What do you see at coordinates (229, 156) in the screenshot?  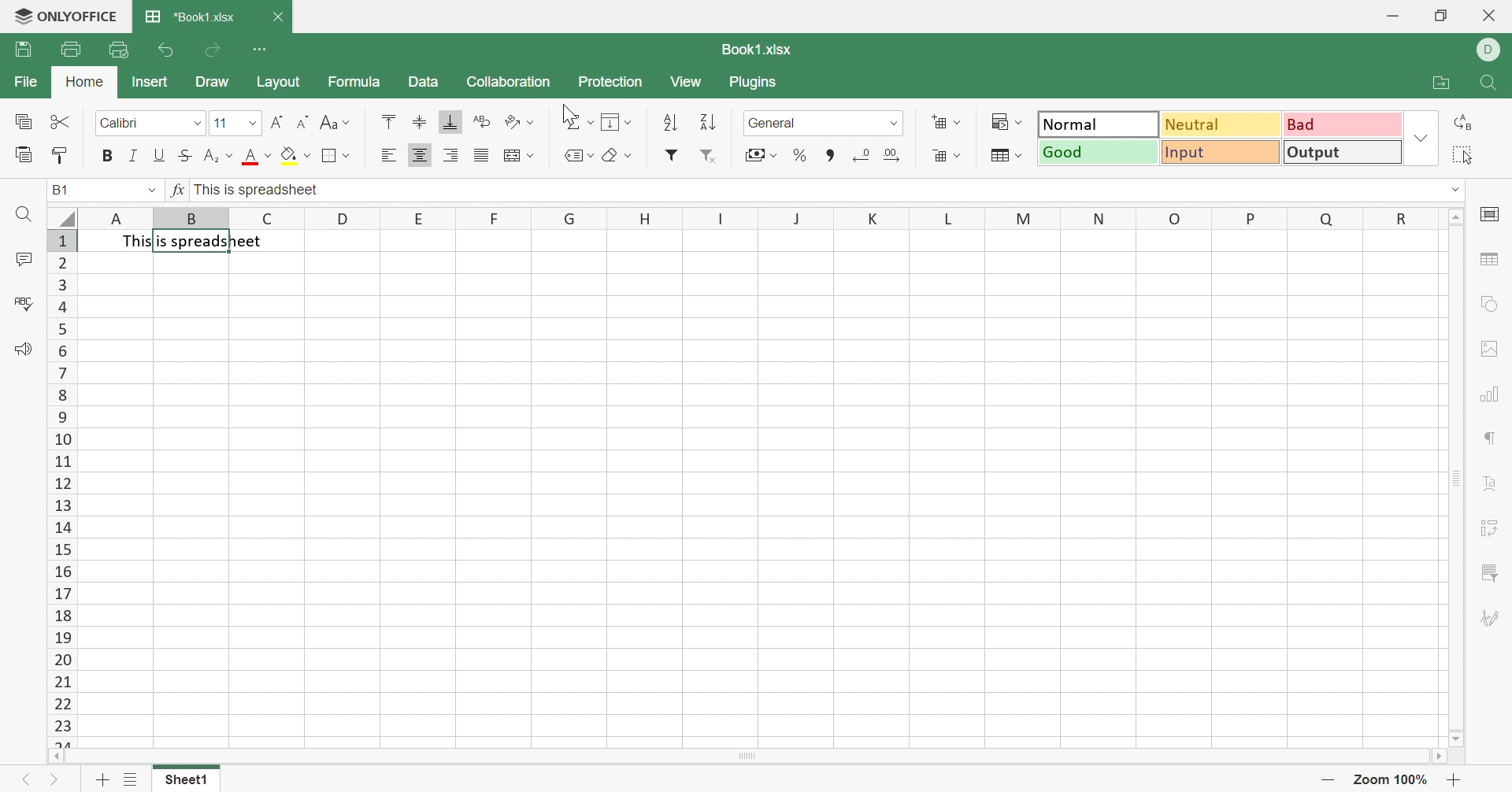 I see `Drop Down` at bounding box center [229, 156].